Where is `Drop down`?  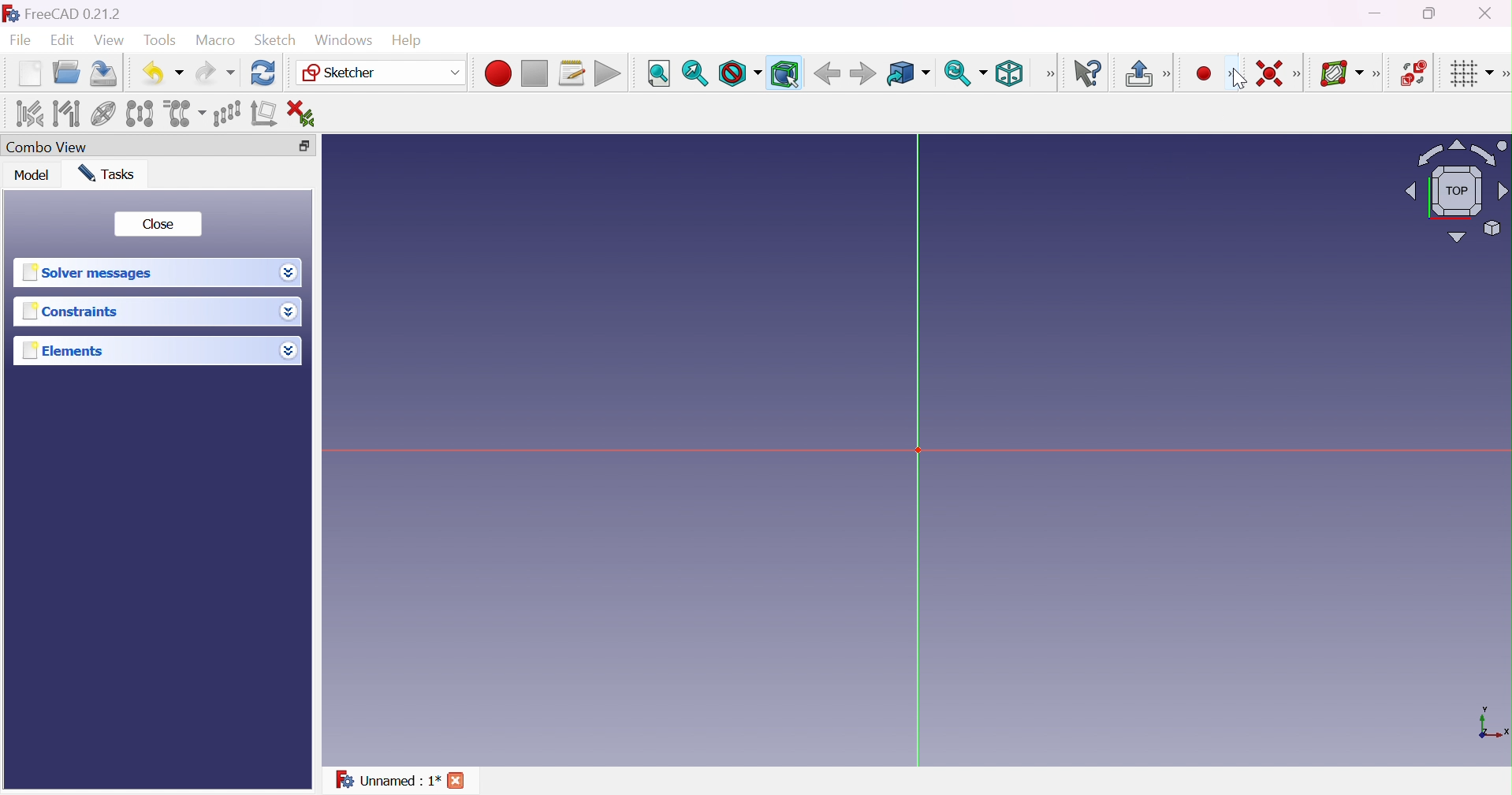 Drop down is located at coordinates (289, 312).